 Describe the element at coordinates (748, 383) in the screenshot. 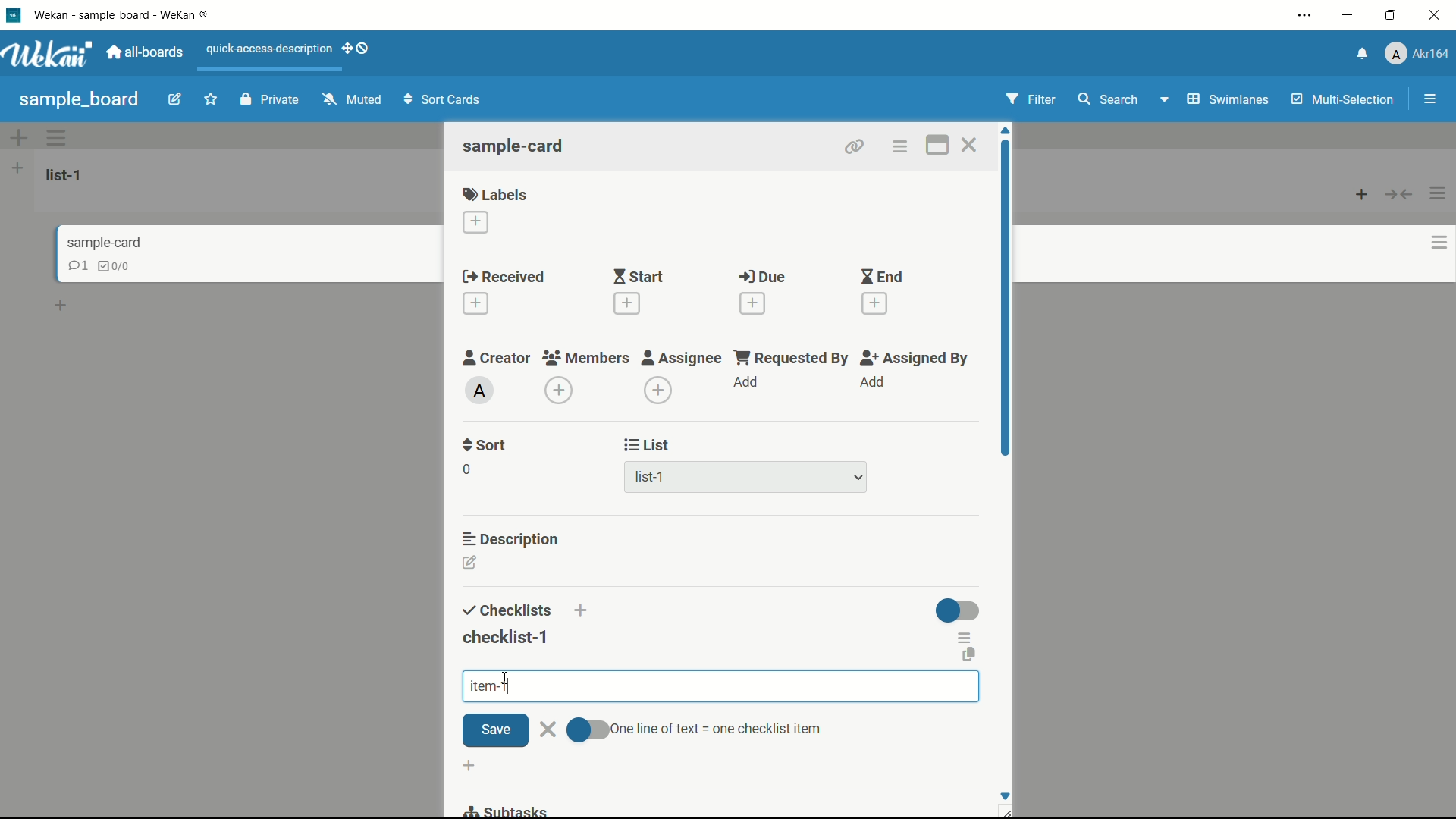

I see `add` at that location.